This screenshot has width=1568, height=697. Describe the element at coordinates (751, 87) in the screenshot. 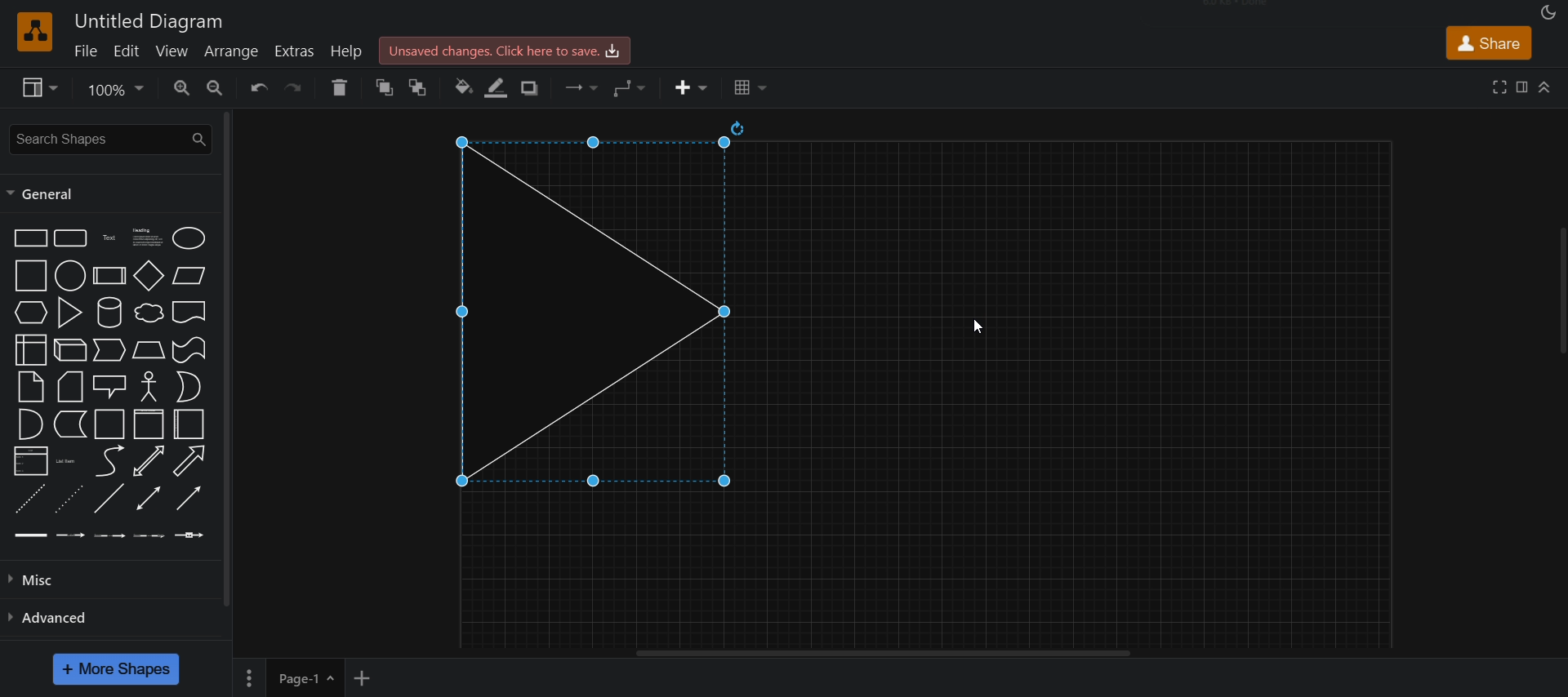

I see `table` at that location.